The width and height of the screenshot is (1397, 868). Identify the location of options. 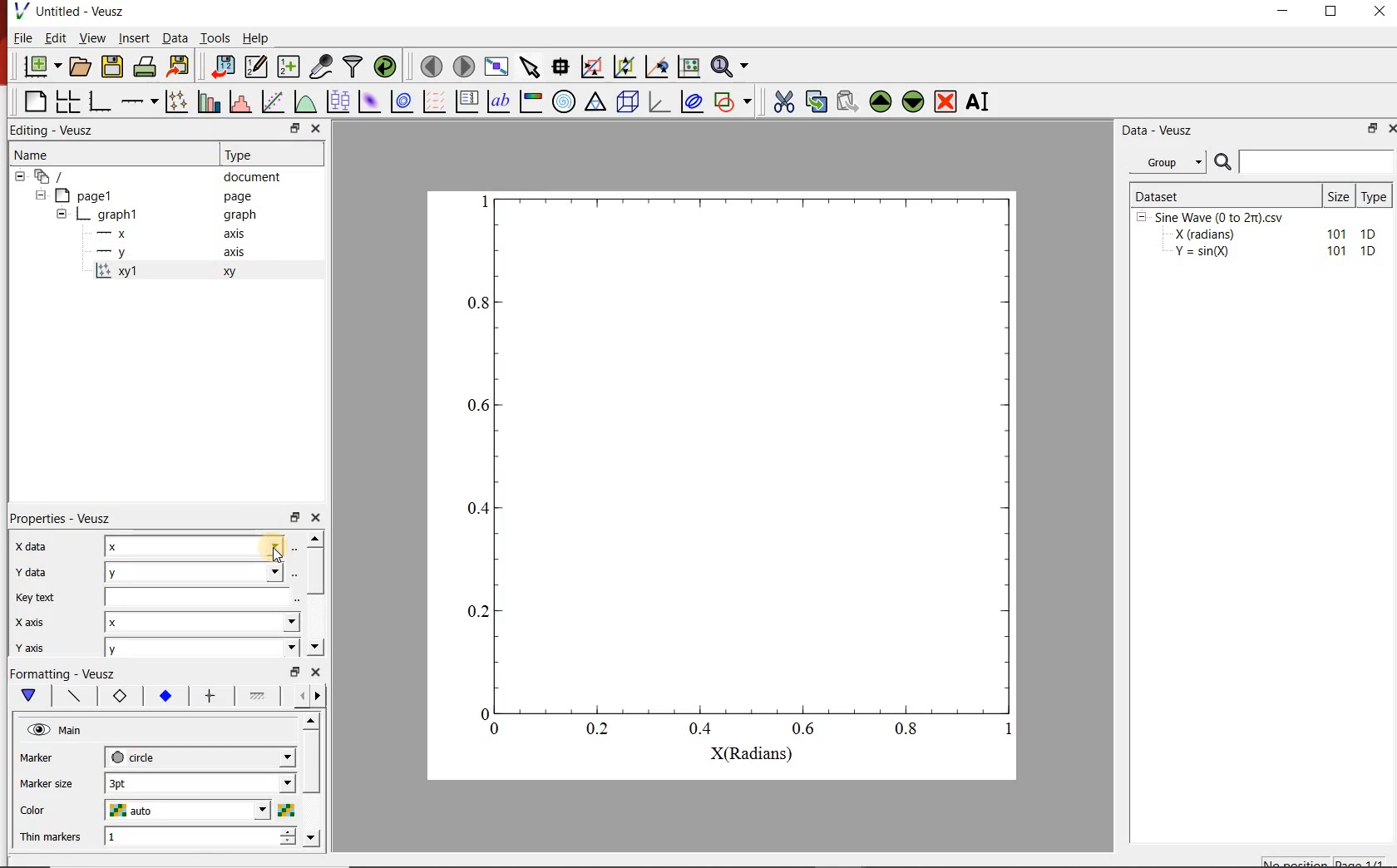
(208, 697).